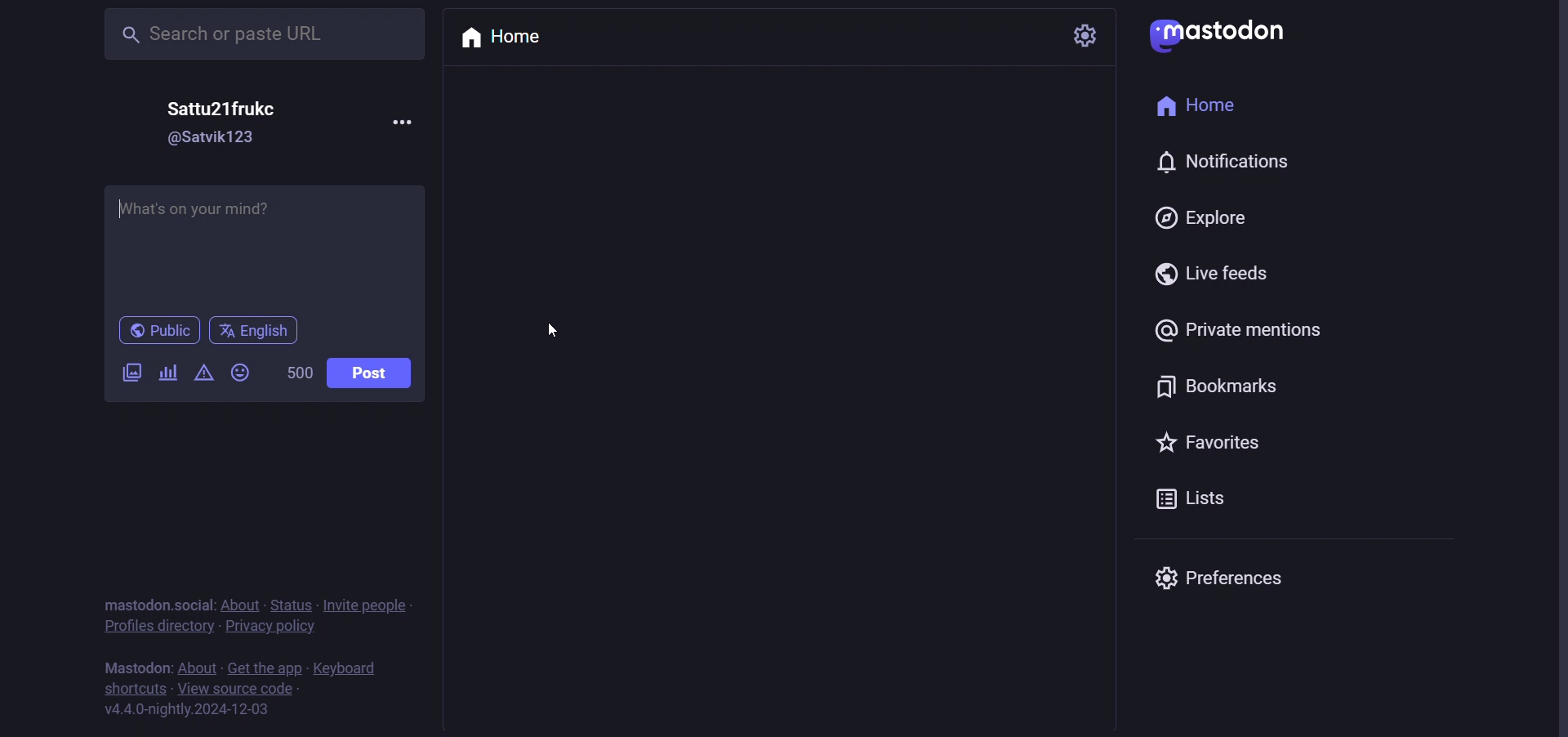 This screenshot has width=1568, height=737. What do you see at coordinates (403, 123) in the screenshot?
I see `more` at bounding box center [403, 123].